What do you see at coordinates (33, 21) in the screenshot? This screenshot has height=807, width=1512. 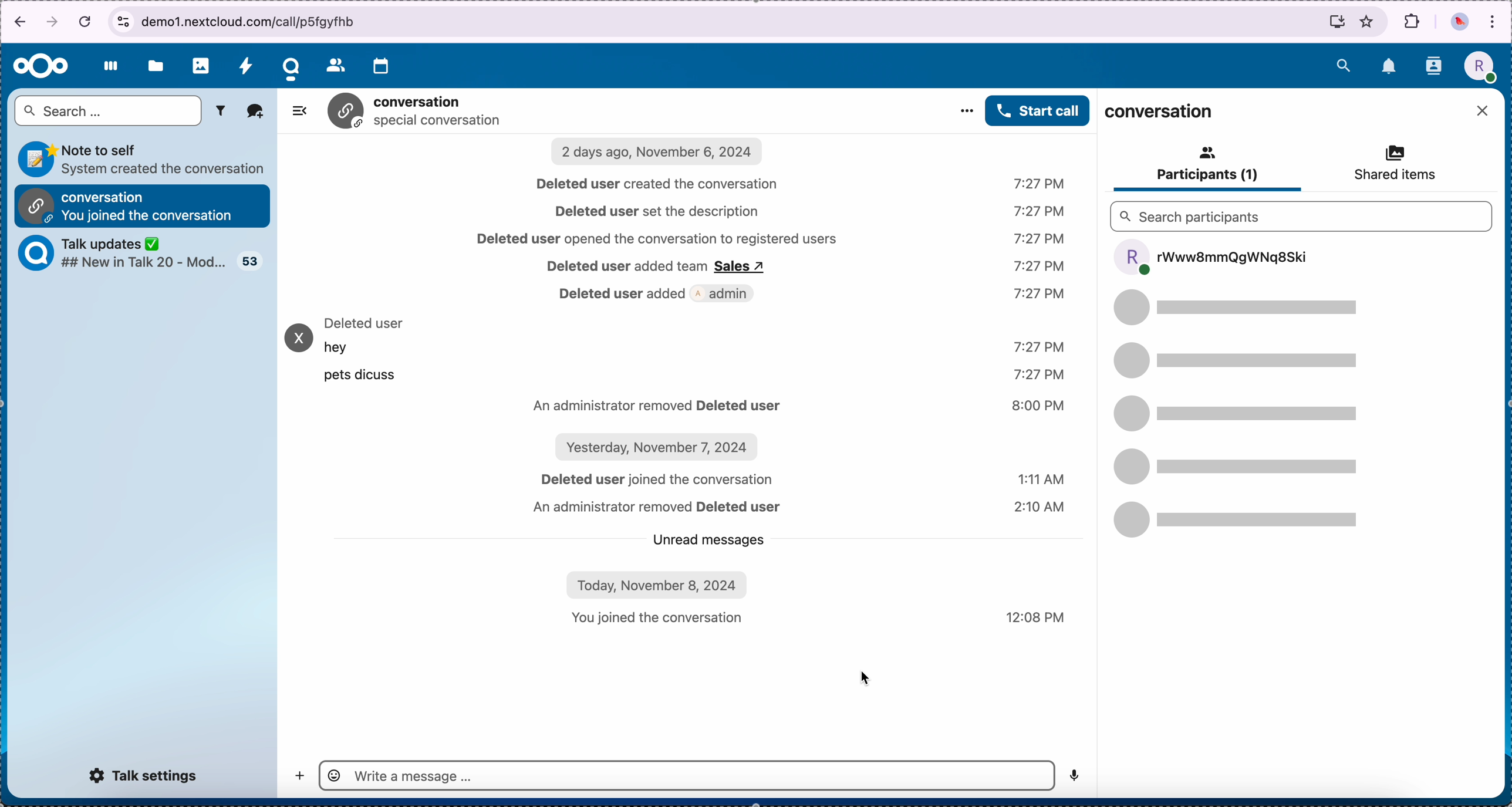 I see `navigation arrows` at bounding box center [33, 21].